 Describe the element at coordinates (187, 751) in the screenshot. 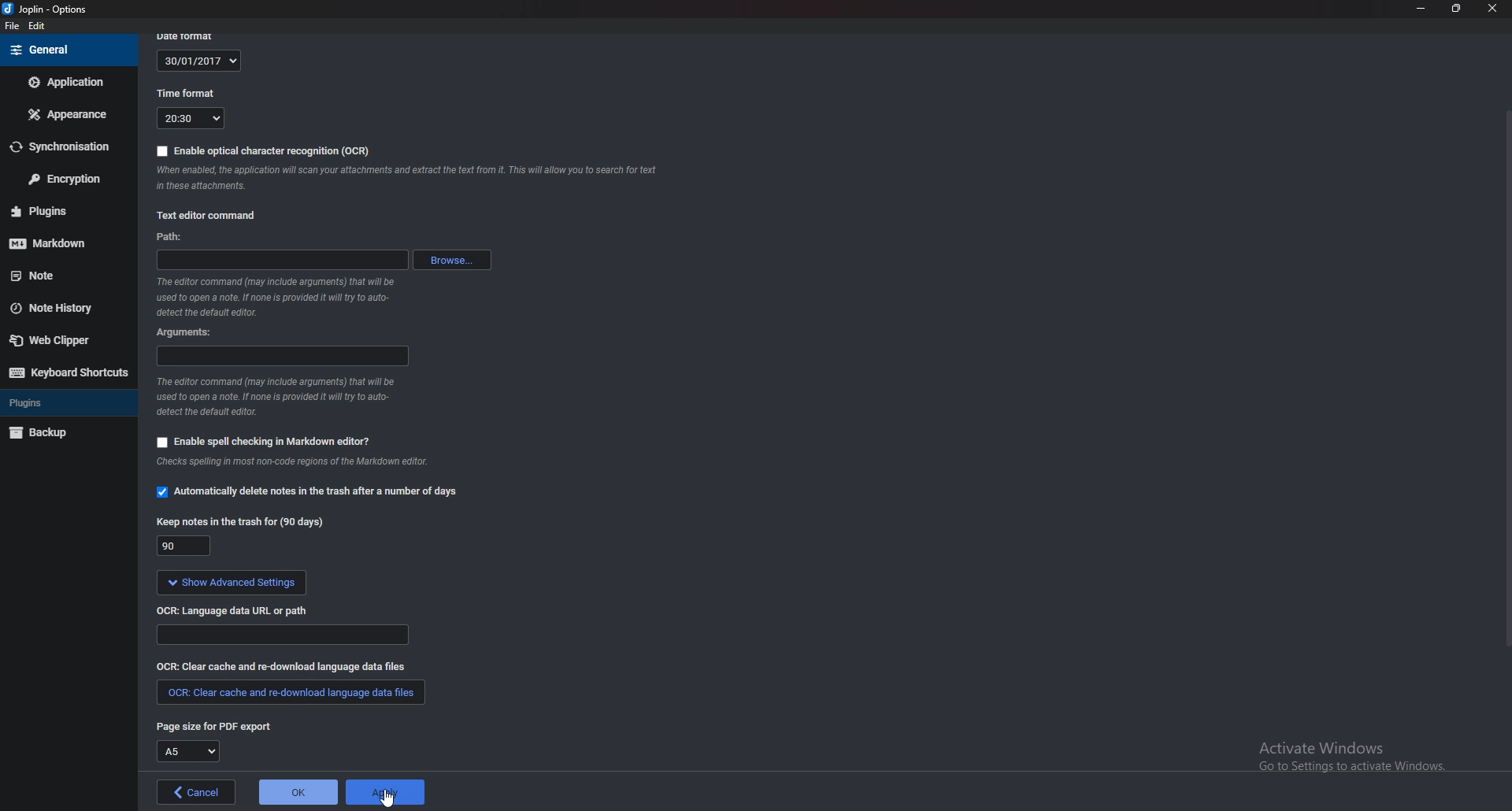

I see `A5` at that location.